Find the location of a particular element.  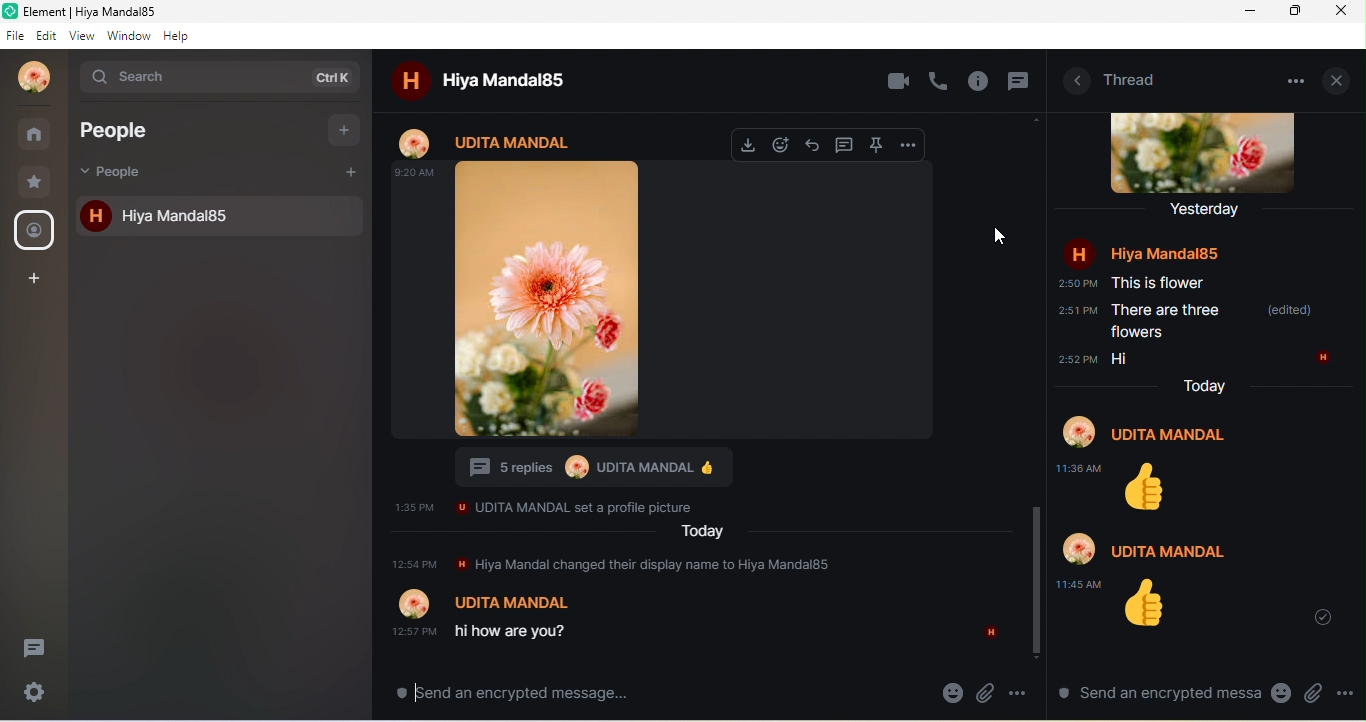

Udita Mandal is located at coordinates (1174, 435).